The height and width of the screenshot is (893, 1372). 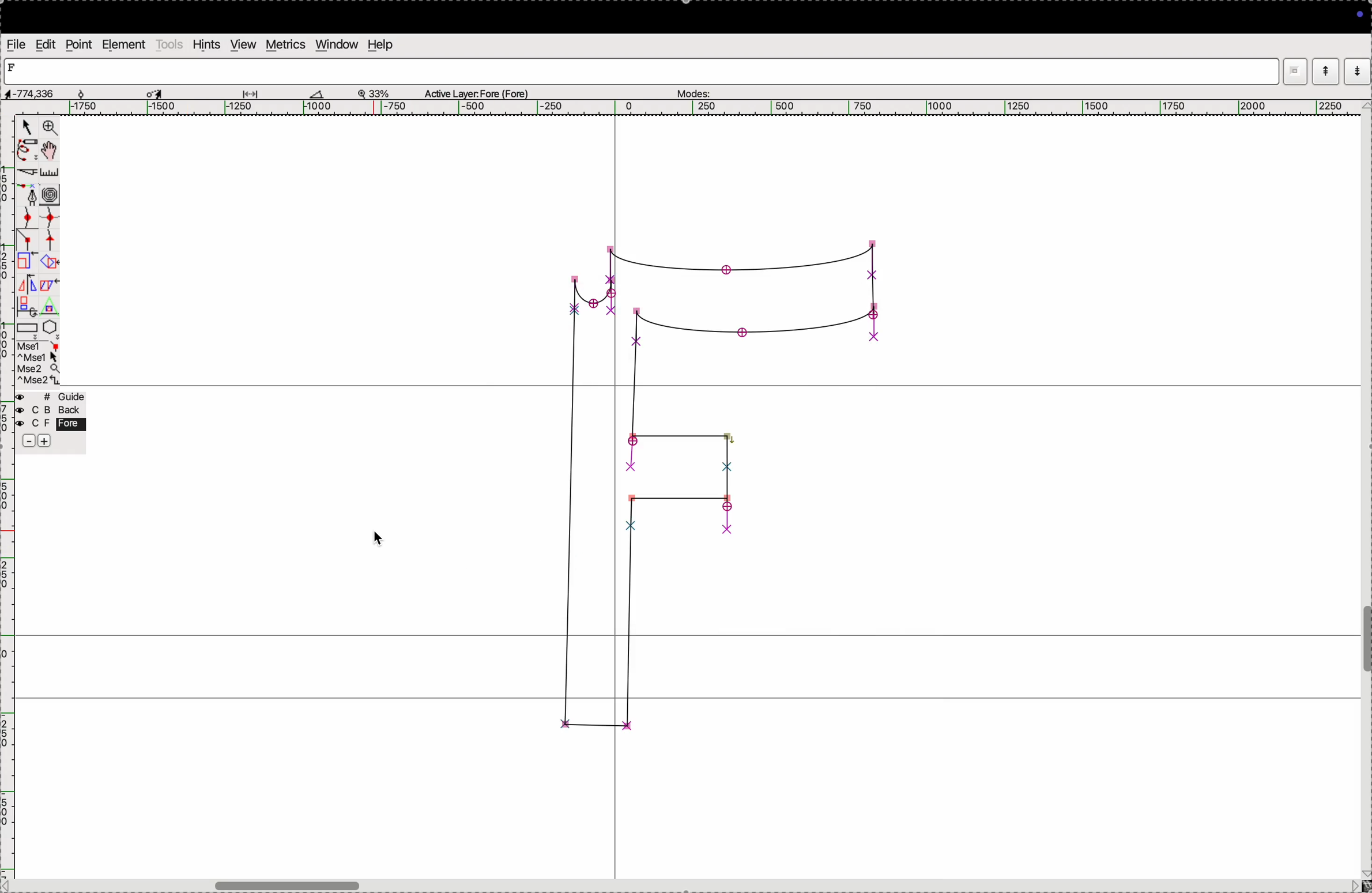 I want to click on mode up, so click(x=1324, y=71).